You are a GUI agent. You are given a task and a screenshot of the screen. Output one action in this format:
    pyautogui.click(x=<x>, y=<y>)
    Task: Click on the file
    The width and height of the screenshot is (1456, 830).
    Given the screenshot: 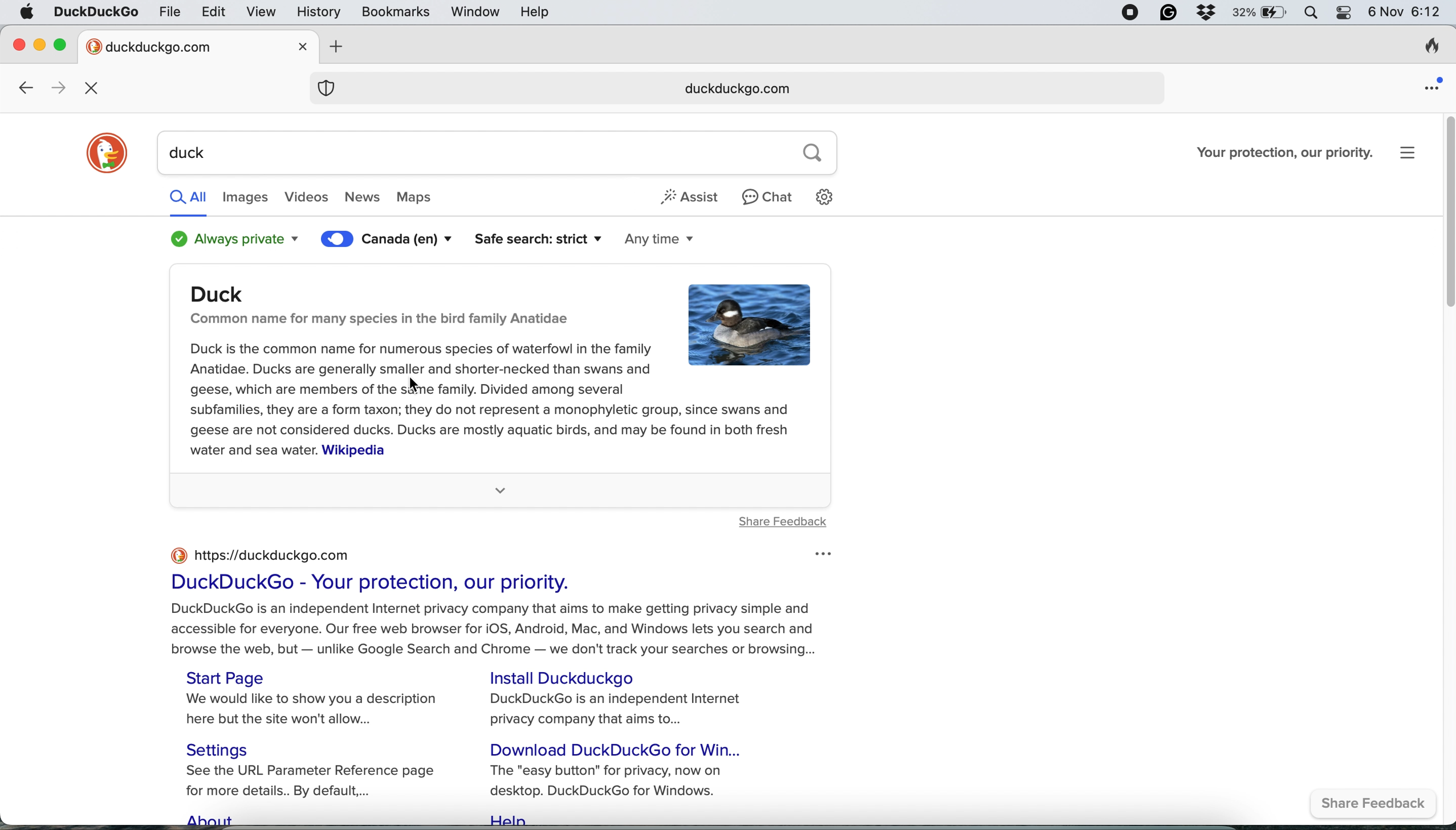 What is the action you would take?
    pyautogui.click(x=170, y=11)
    